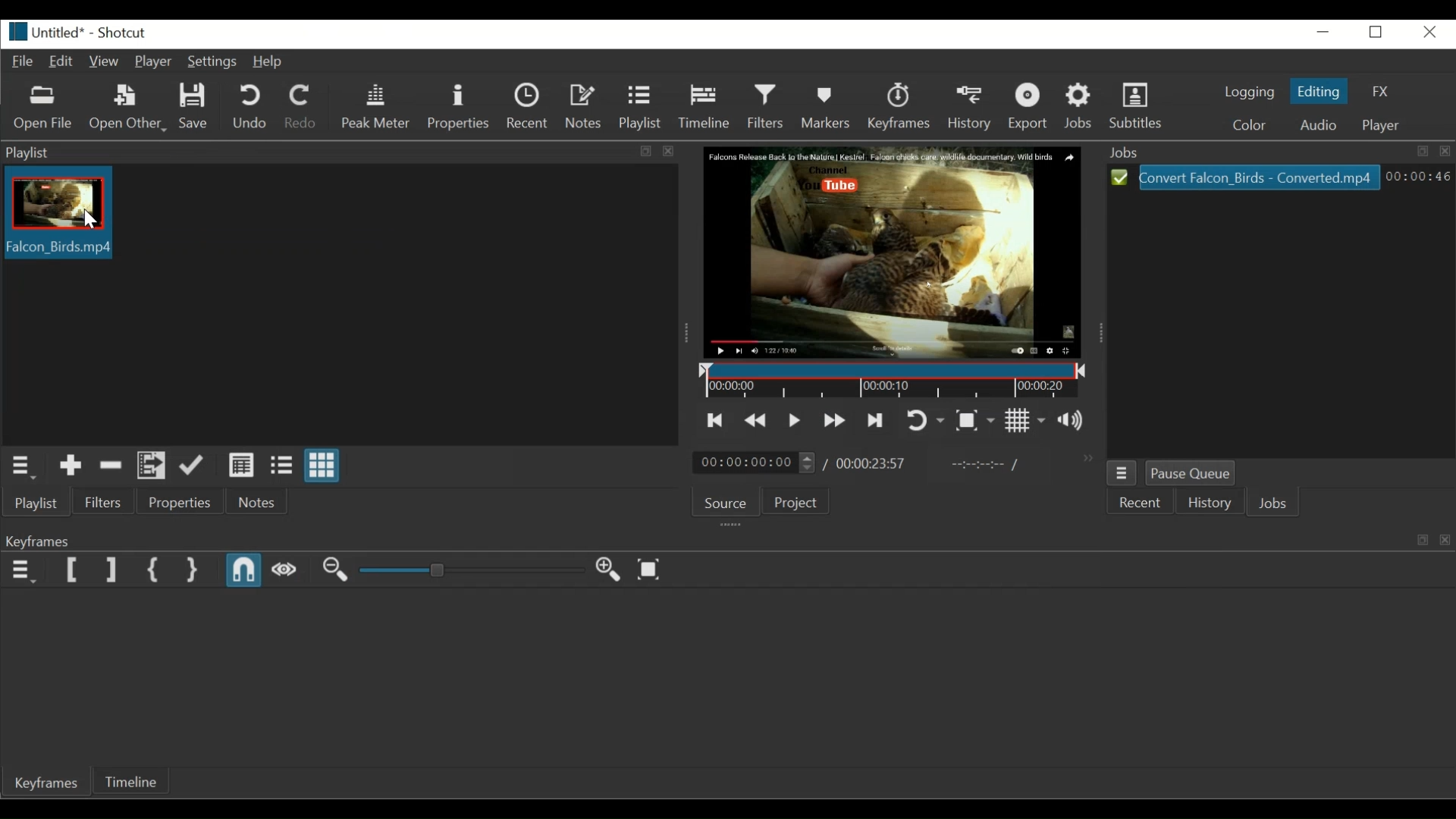  What do you see at coordinates (1141, 107) in the screenshot?
I see `Subtitles` at bounding box center [1141, 107].